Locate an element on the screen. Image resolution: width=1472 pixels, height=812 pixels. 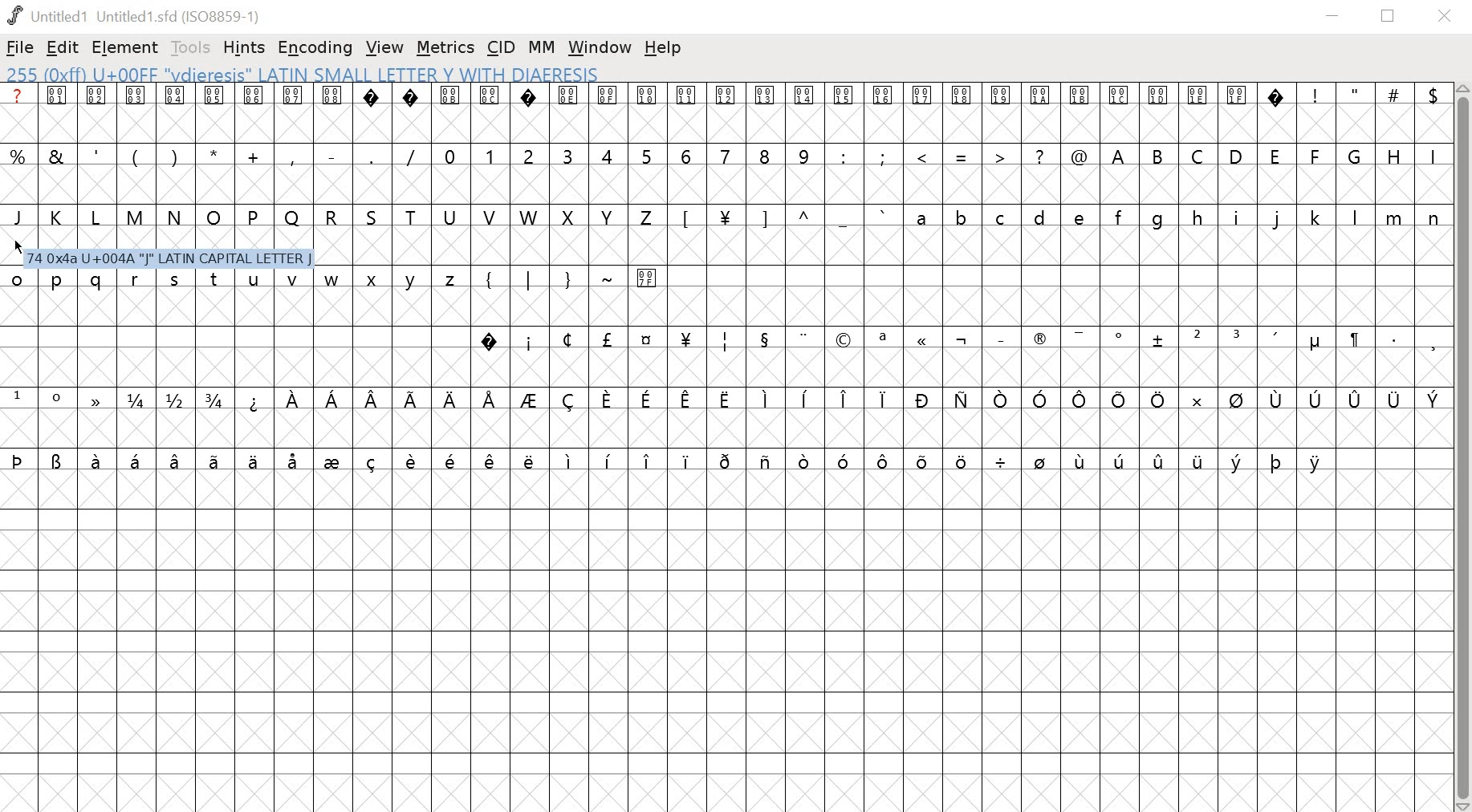
Untitled1 (Untitled1.sfd(ISO8859-1) is located at coordinates (137, 15).